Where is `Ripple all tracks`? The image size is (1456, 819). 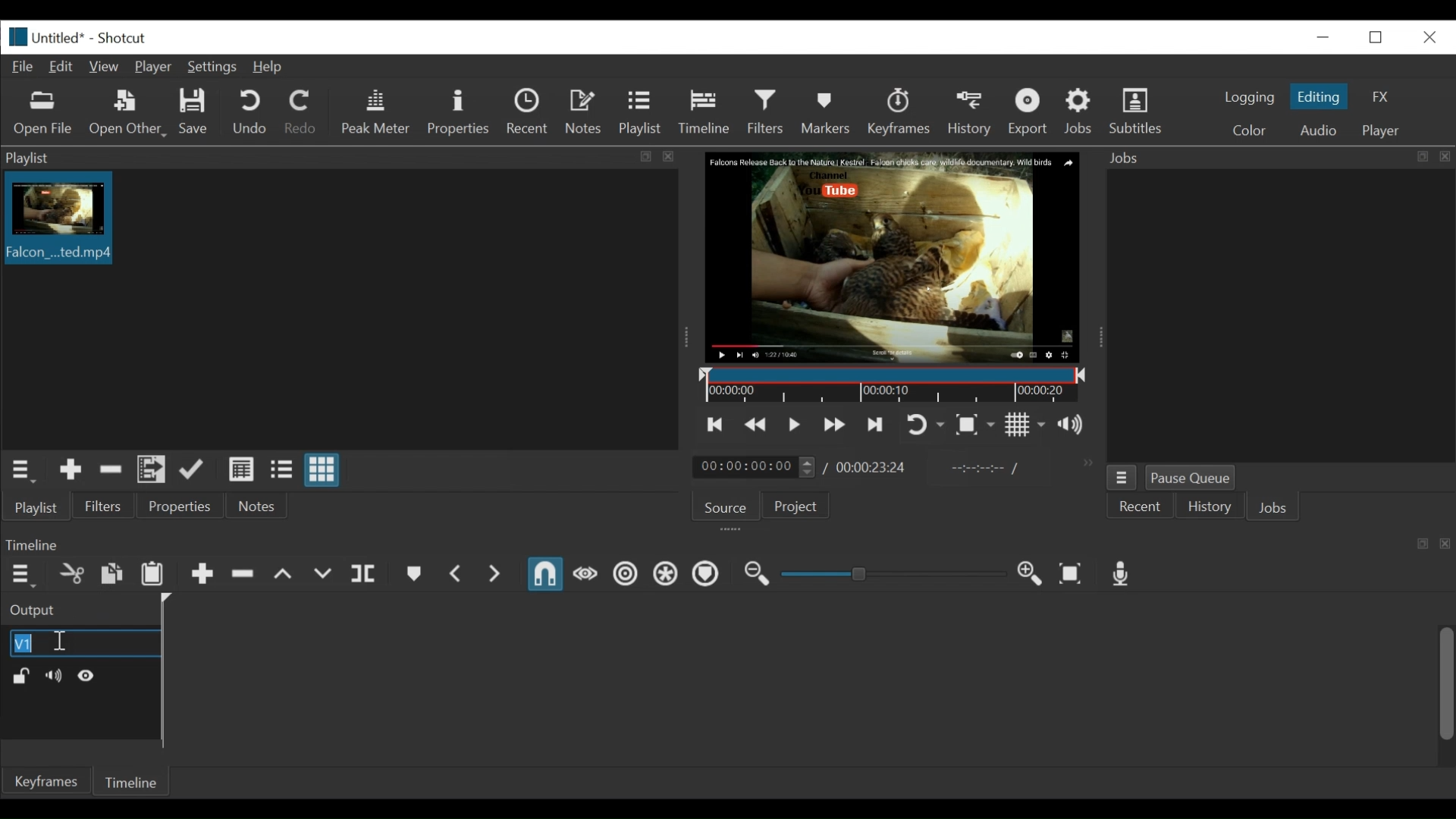
Ripple all tracks is located at coordinates (665, 574).